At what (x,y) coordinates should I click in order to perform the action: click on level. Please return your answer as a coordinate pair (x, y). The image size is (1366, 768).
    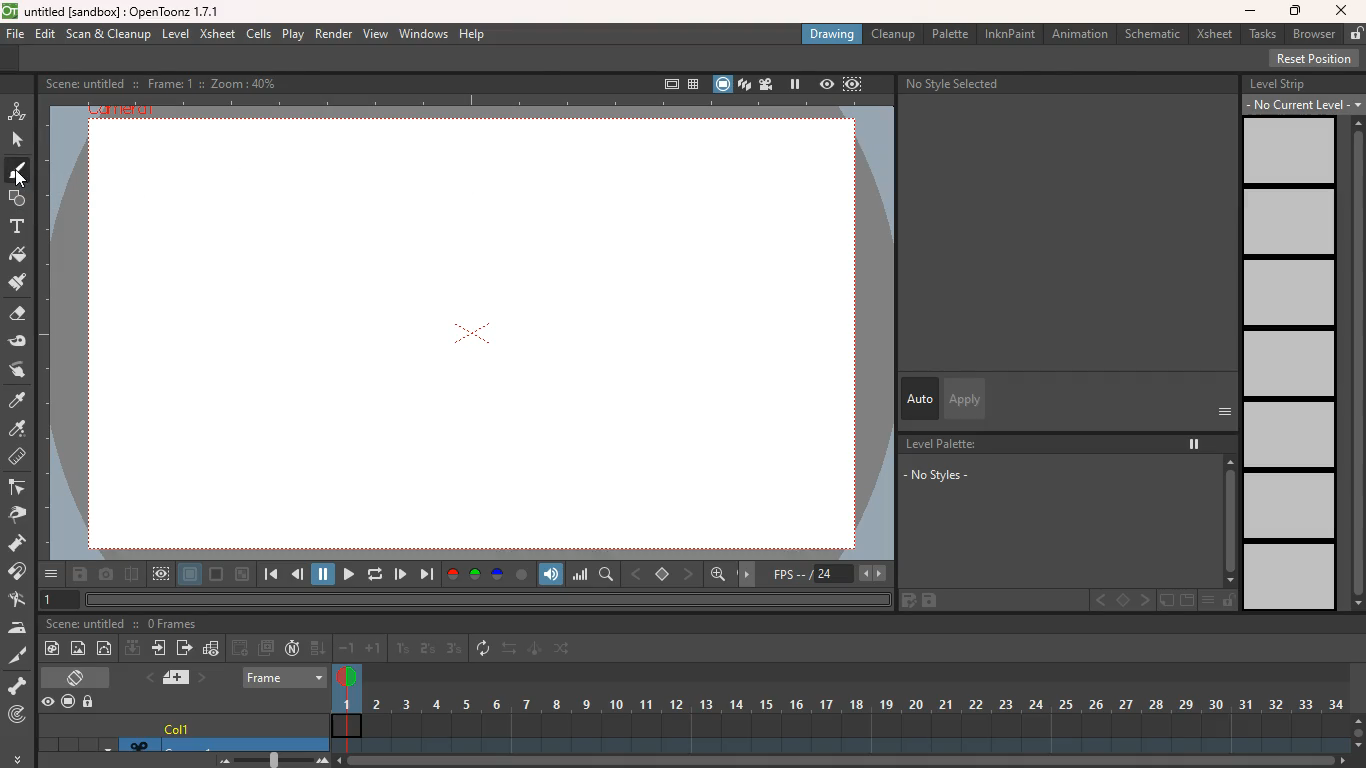
    Looking at the image, I should click on (1291, 293).